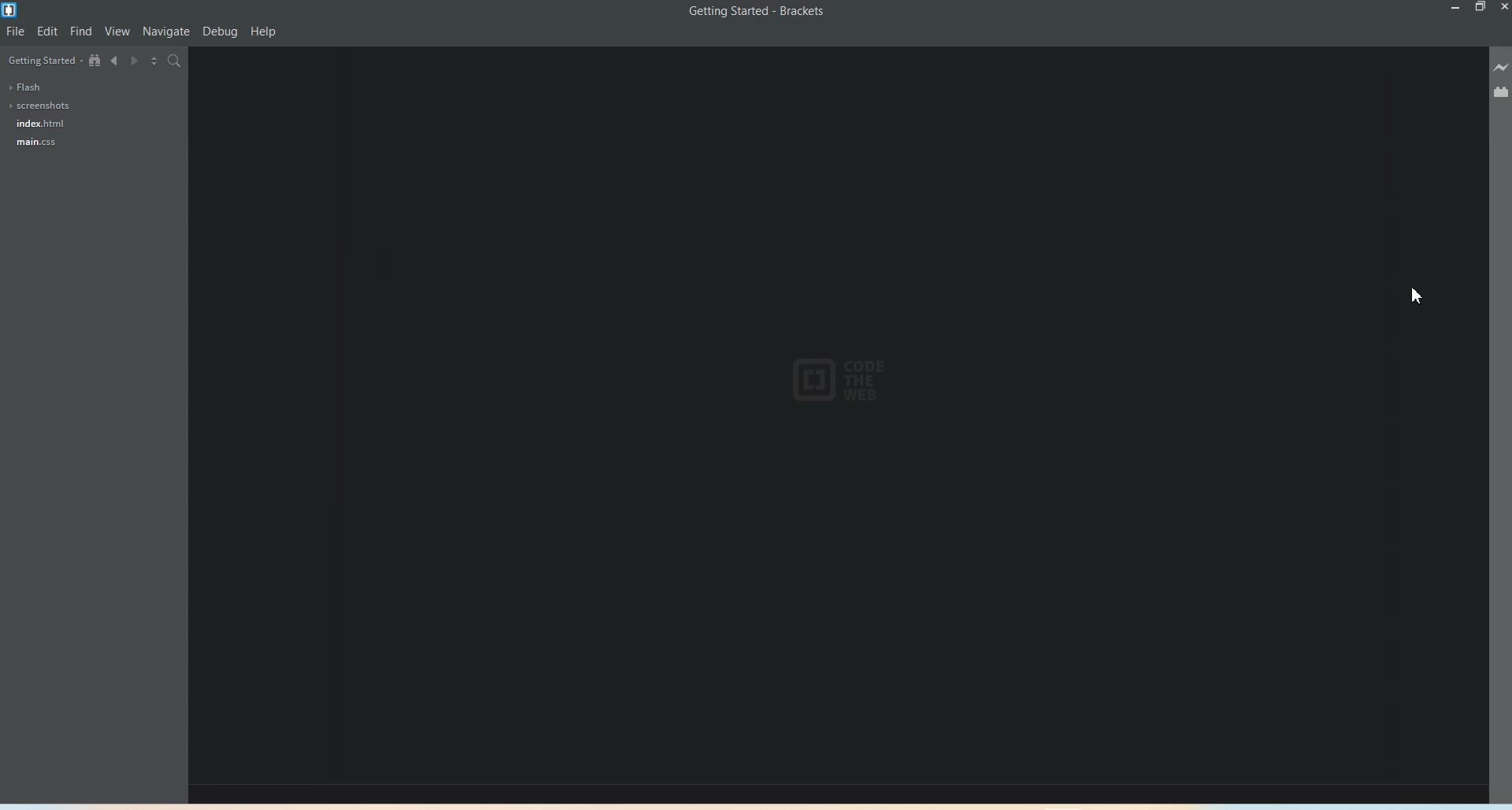 This screenshot has width=1512, height=810. I want to click on Navigate Forwards, so click(136, 61).